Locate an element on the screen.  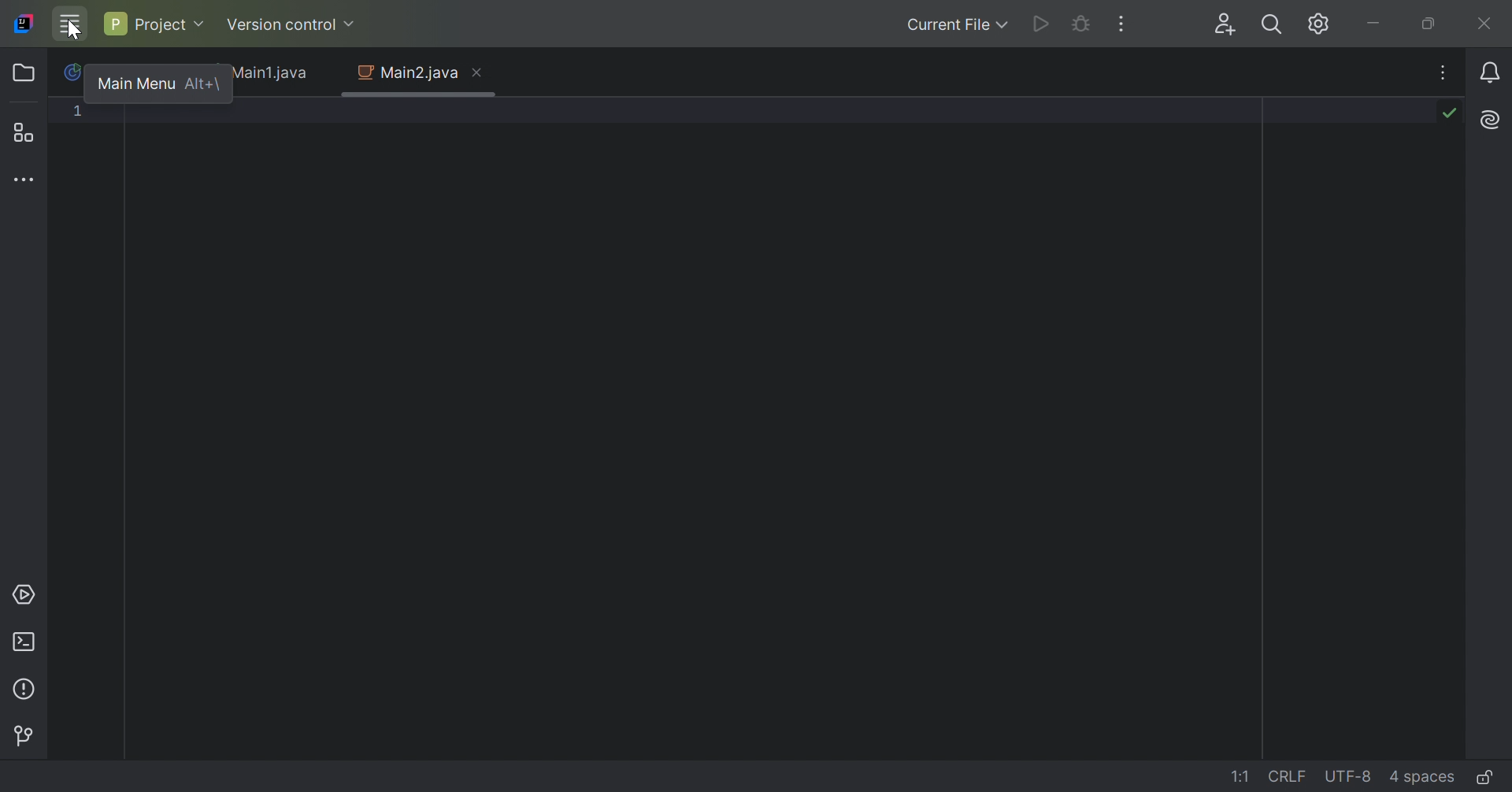
Problems is located at coordinates (28, 687).